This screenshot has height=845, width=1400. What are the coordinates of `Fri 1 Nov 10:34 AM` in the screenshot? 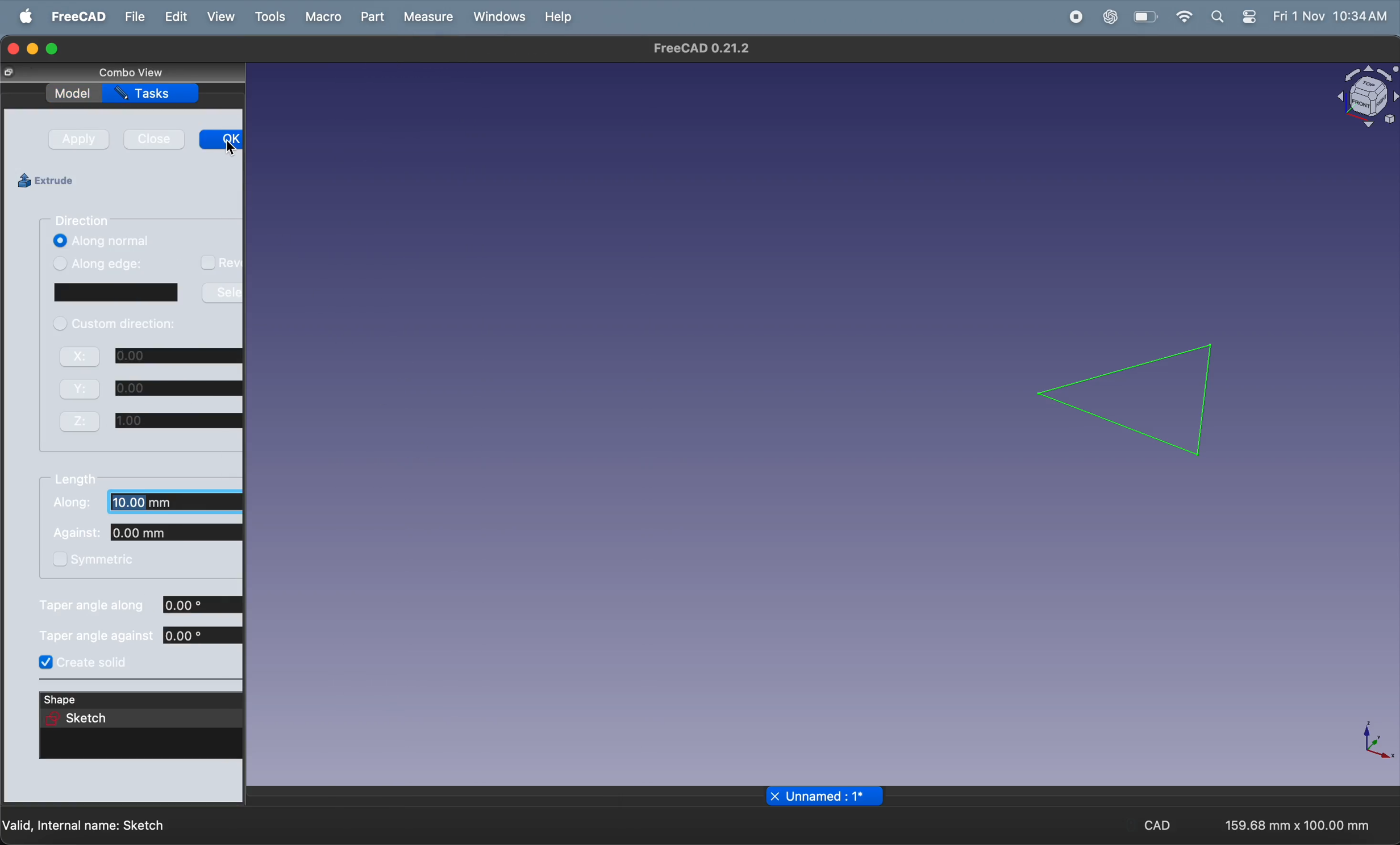 It's located at (1330, 17).